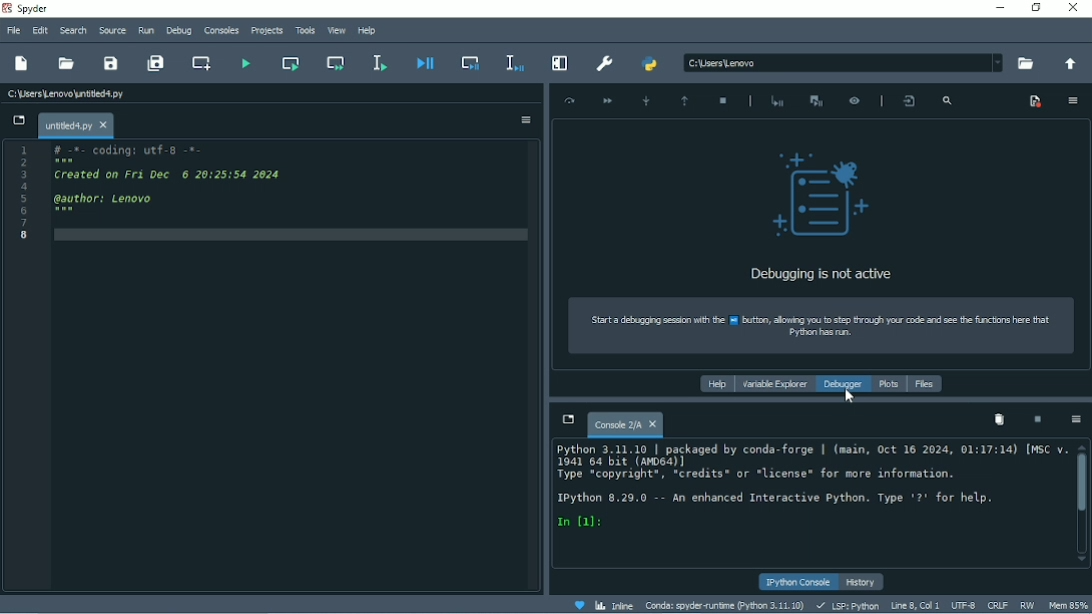  I want to click on Execute until function or method returns, so click(685, 100).